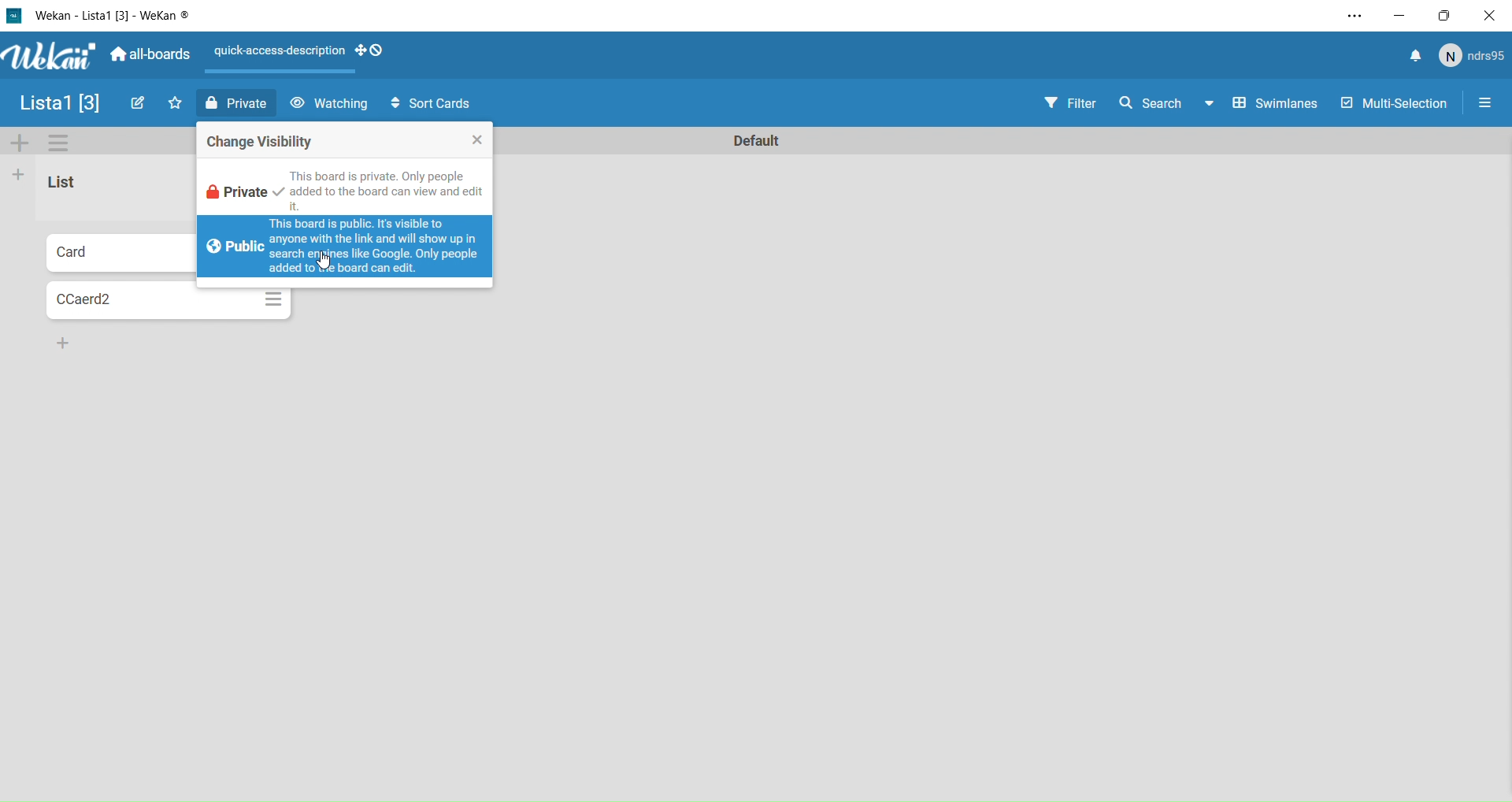 This screenshot has height=802, width=1512. I want to click on Wekan Logo, so click(44, 58).